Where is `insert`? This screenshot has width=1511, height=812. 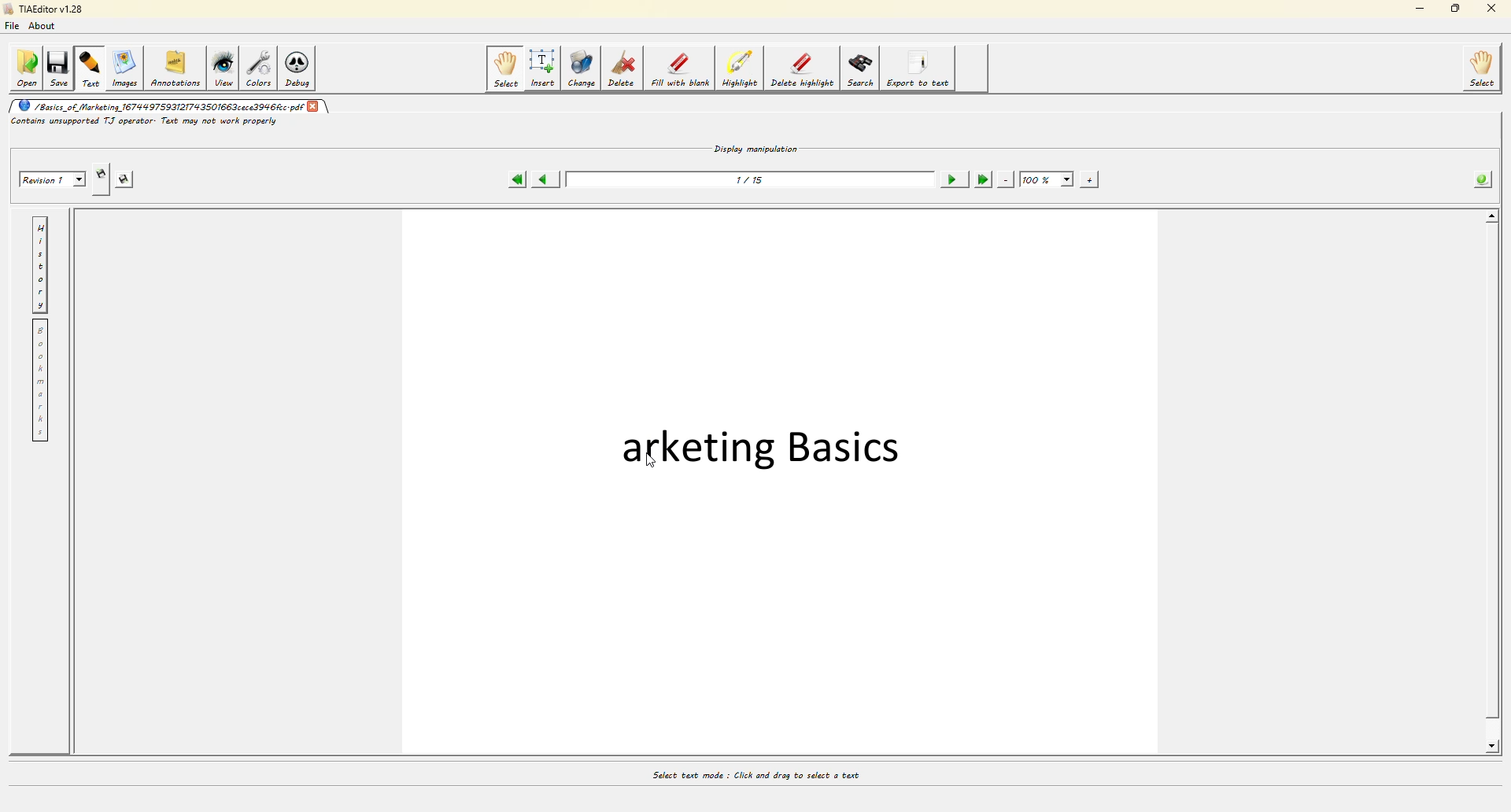 insert is located at coordinates (544, 68).